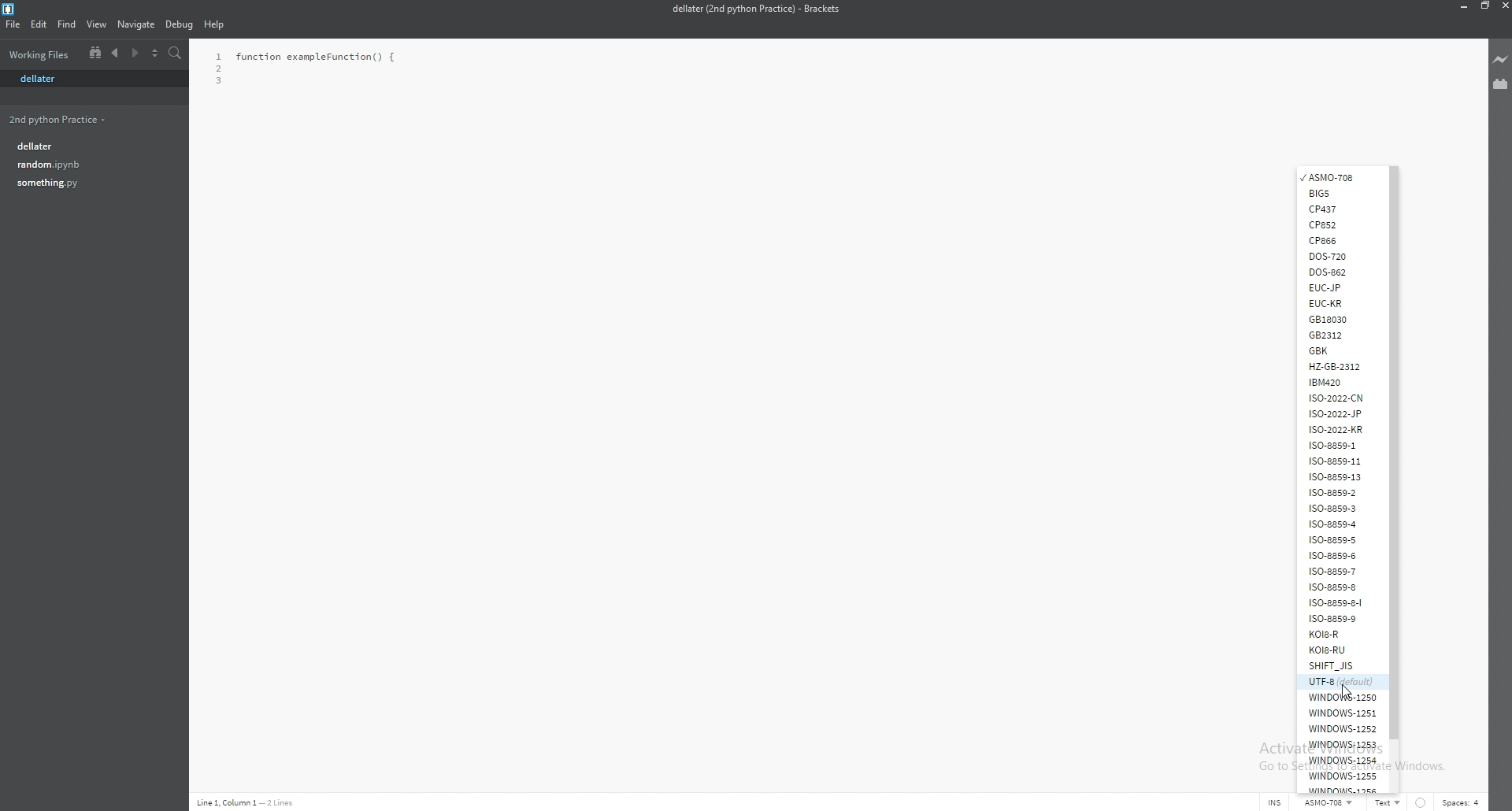 The height and width of the screenshot is (811, 1512). What do you see at coordinates (757, 9) in the screenshot?
I see `dellater (2nd python practice) - brackets` at bounding box center [757, 9].